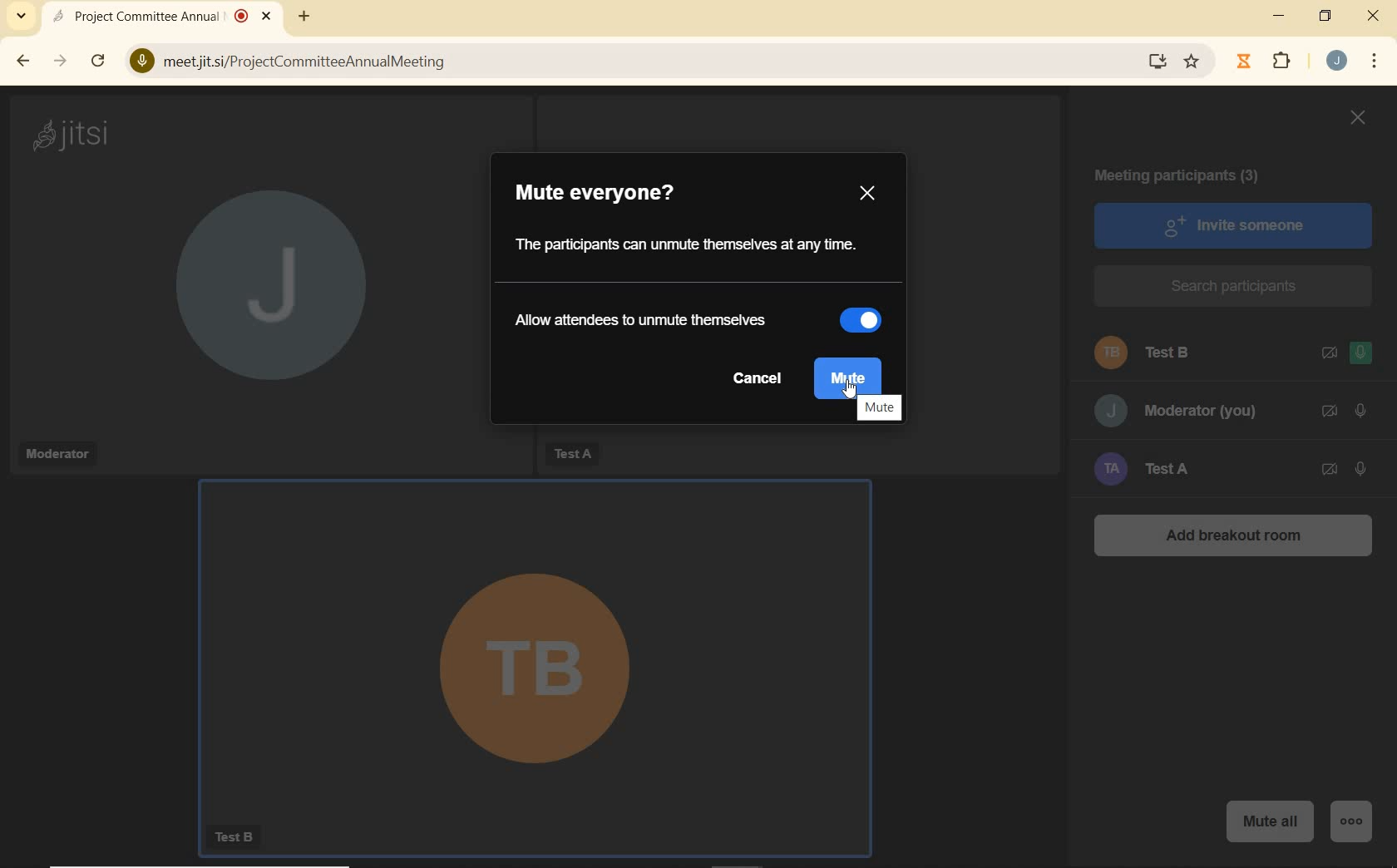 The height and width of the screenshot is (868, 1397). I want to click on CUSTOMIZE GOOGLE CHROME, so click(1379, 63).